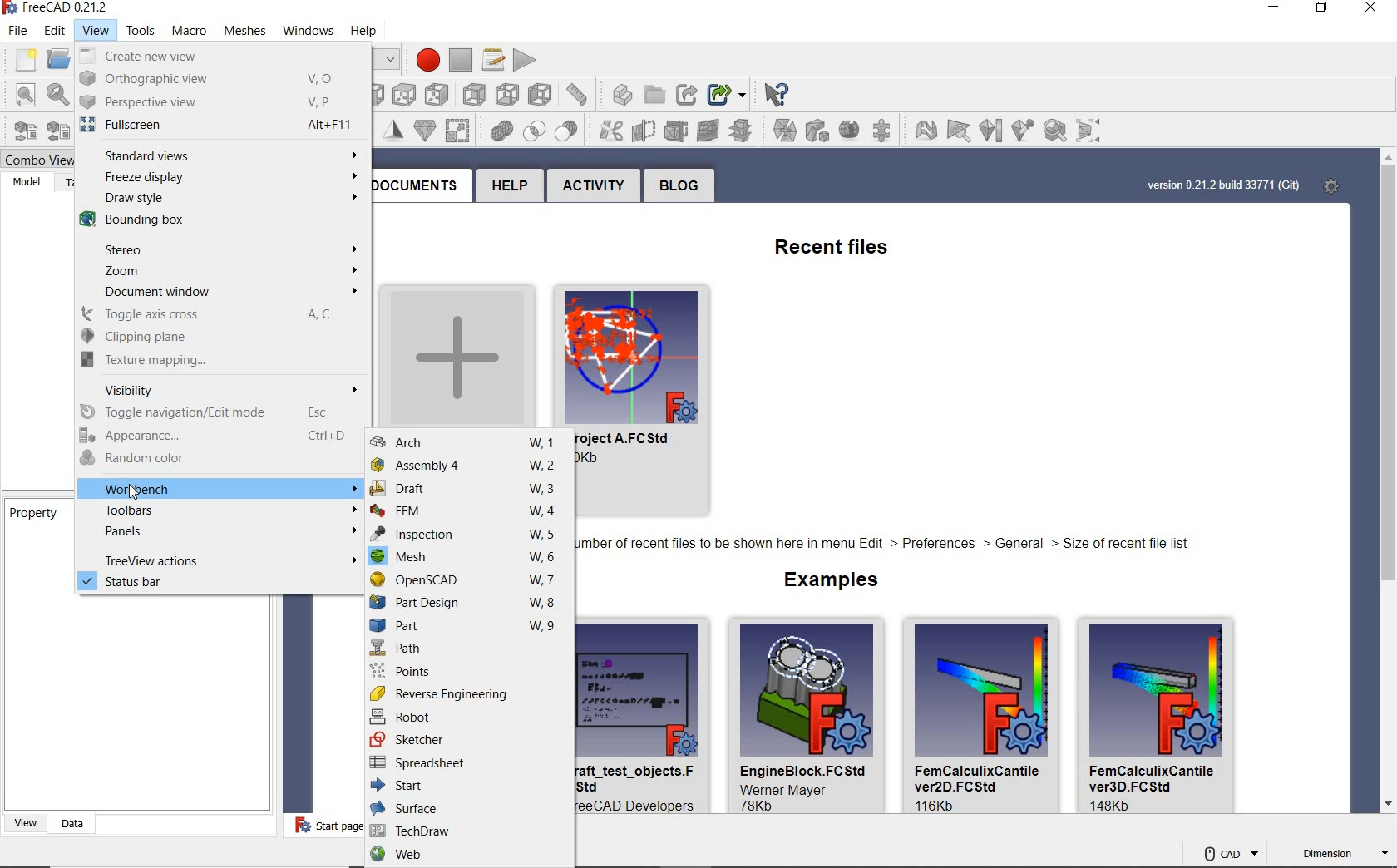  I want to click on bounding box, so click(213, 223).